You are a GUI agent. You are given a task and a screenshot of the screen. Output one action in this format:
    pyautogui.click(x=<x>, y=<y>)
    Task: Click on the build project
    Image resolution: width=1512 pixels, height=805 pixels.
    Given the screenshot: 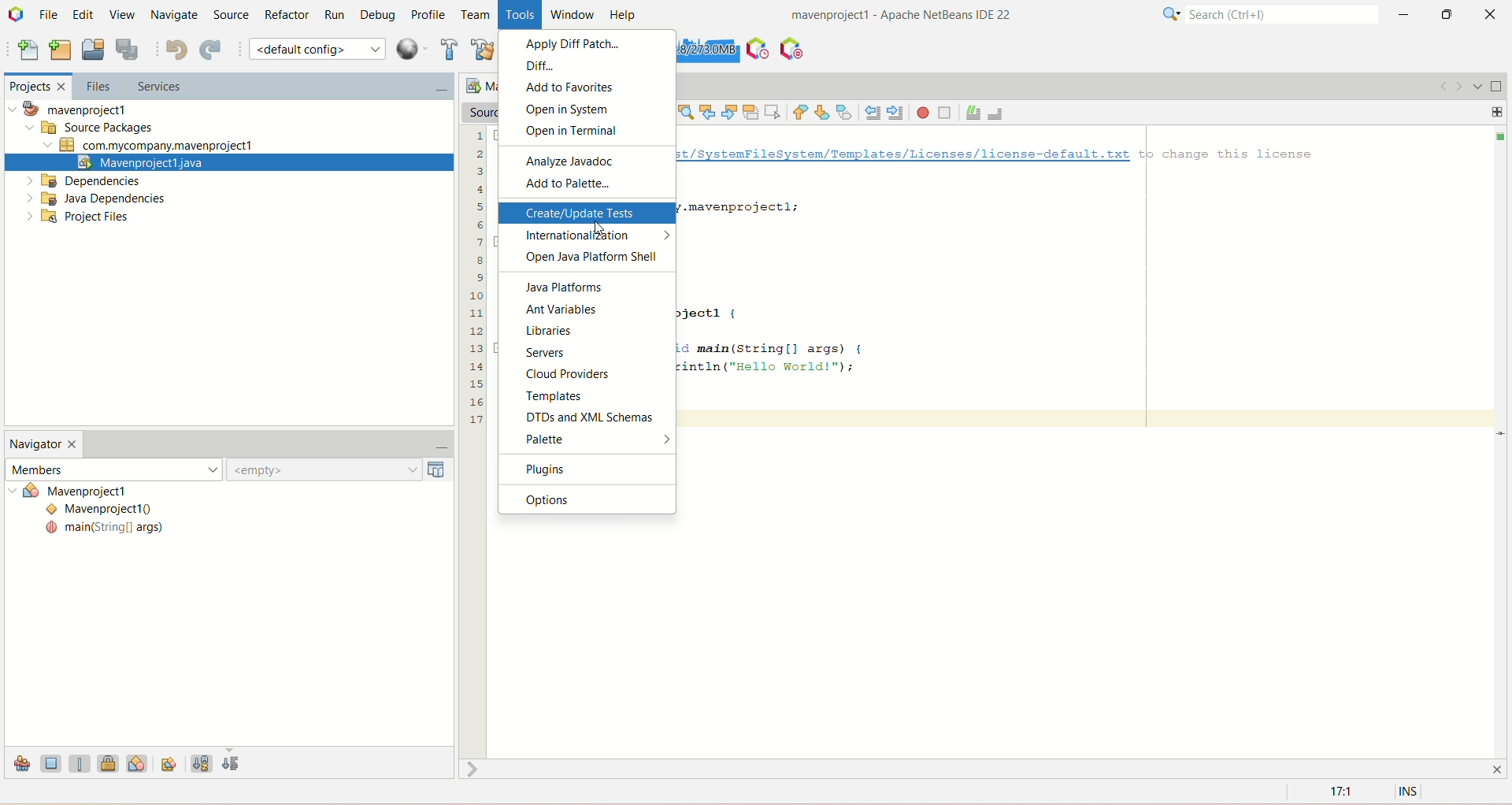 What is the action you would take?
    pyautogui.click(x=447, y=49)
    